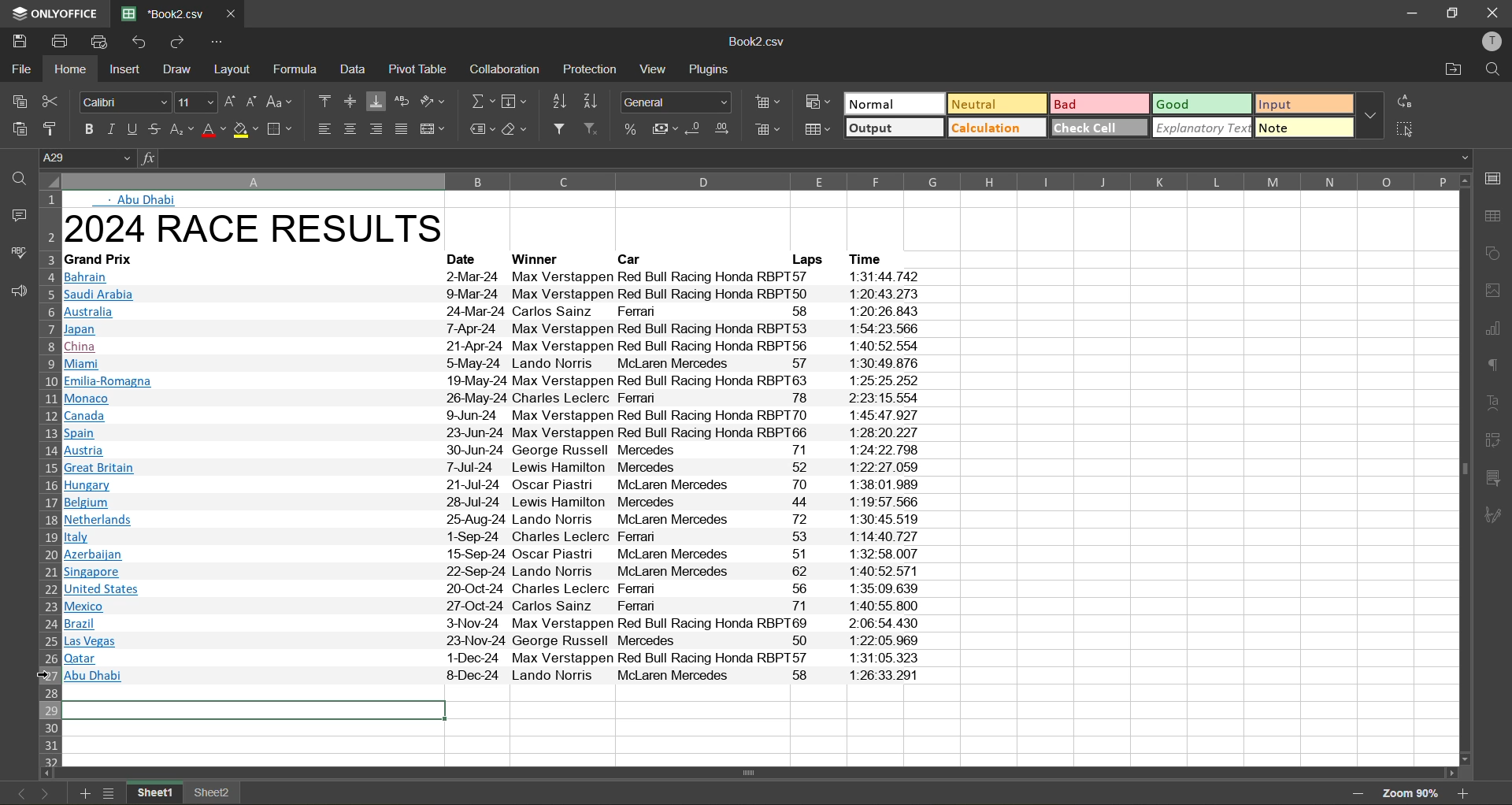  Describe the element at coordinates (1406, 128) in the screenshot. I see `select all` at that location.